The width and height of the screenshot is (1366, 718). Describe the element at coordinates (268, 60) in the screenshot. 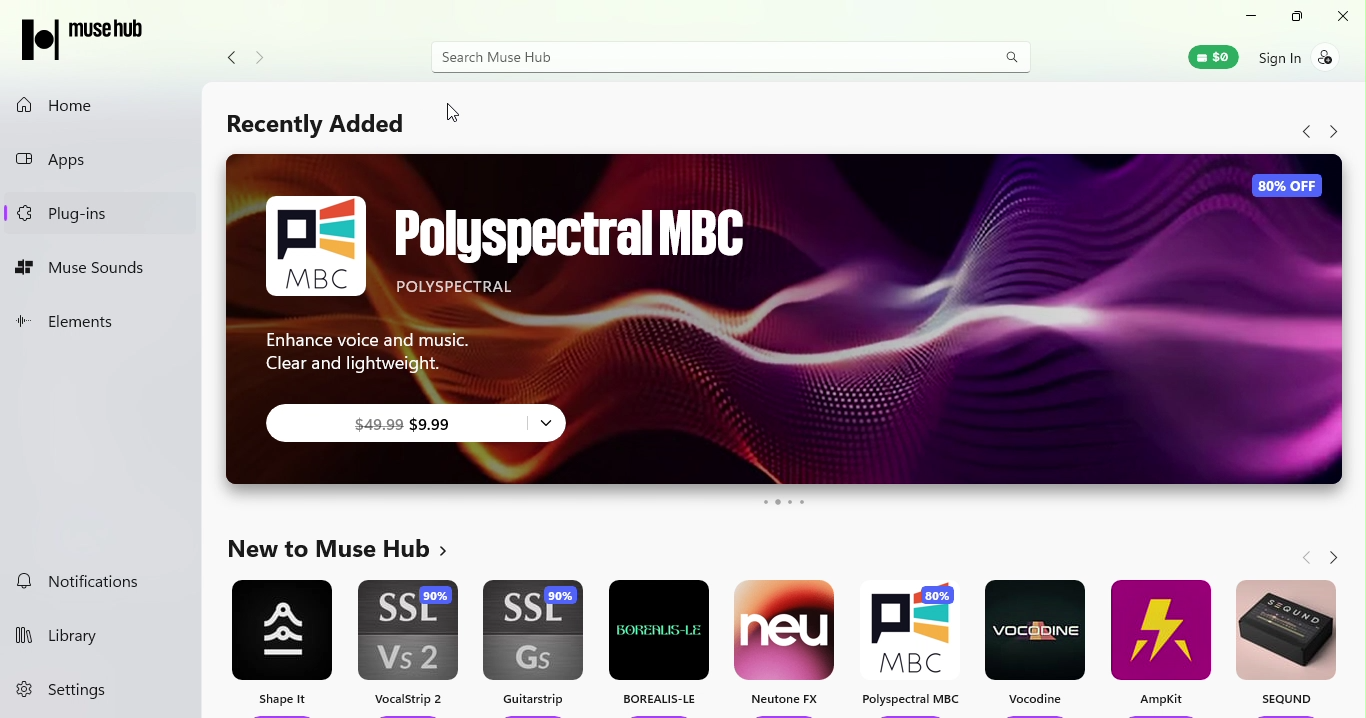

I see `Navigate forward` at that location.